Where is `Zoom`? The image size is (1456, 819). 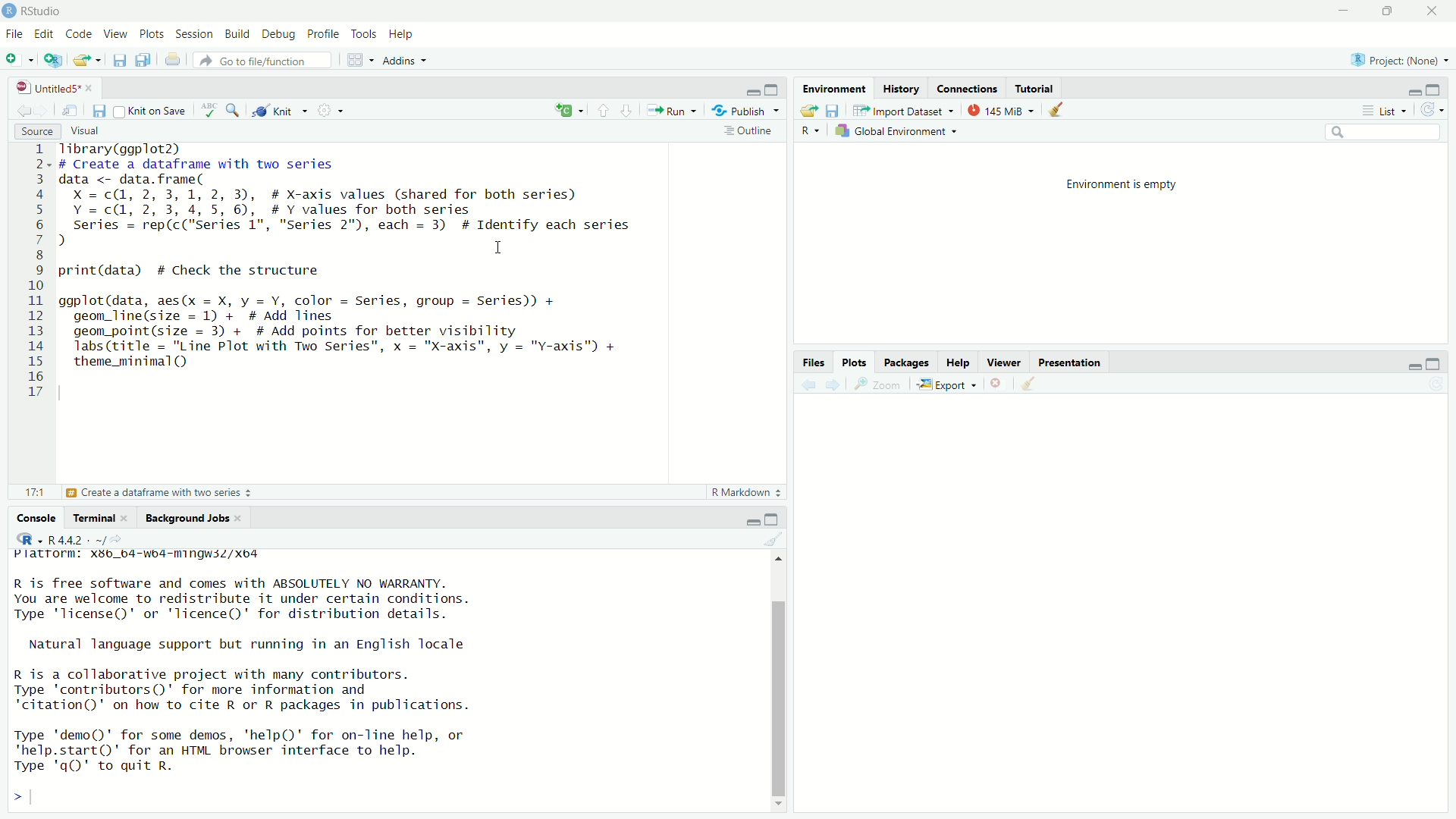 Zoom is located at coordinates (877, 384).